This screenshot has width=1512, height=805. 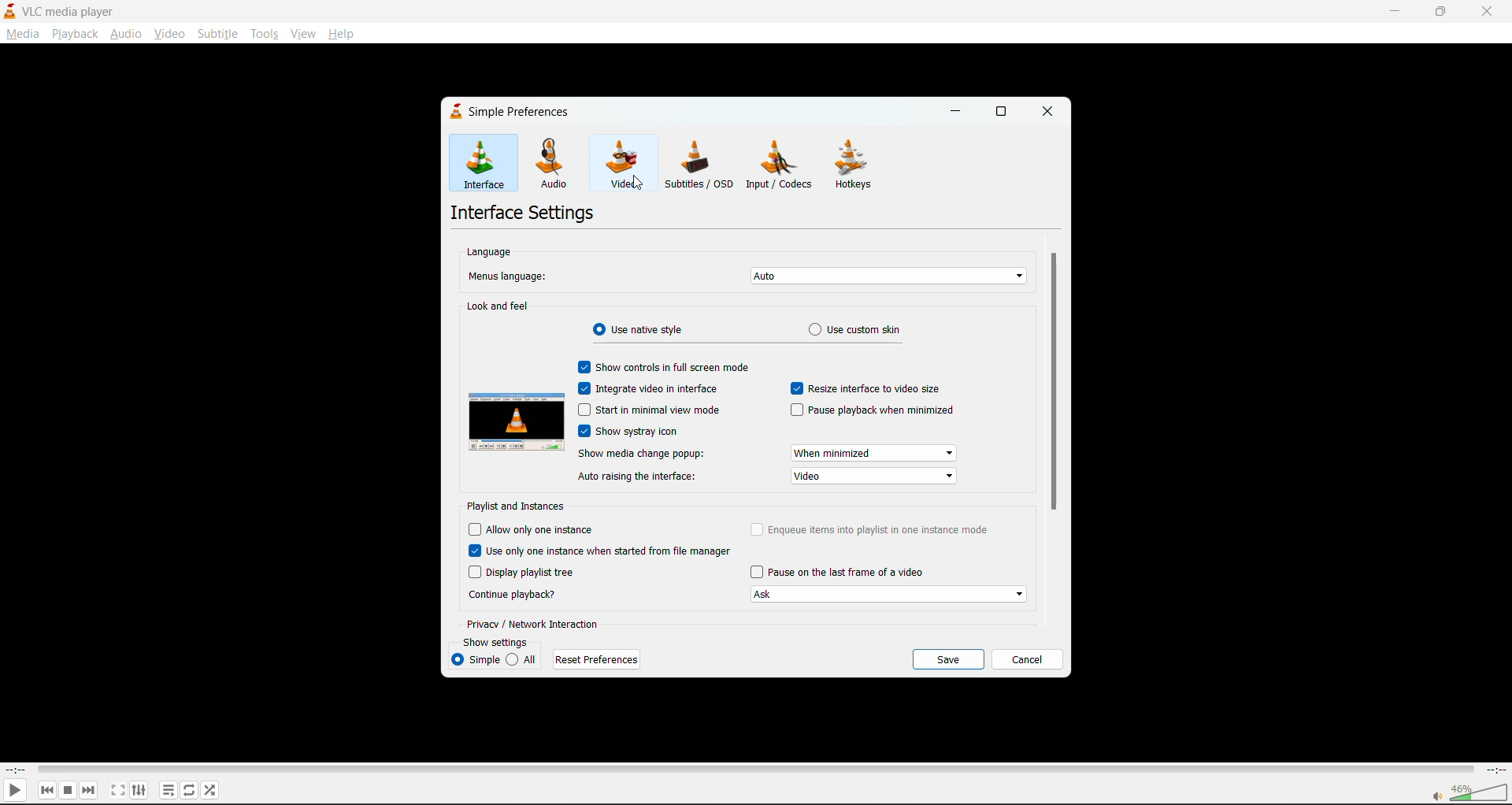 I want to click on use native style, so click(x=640, y=332).